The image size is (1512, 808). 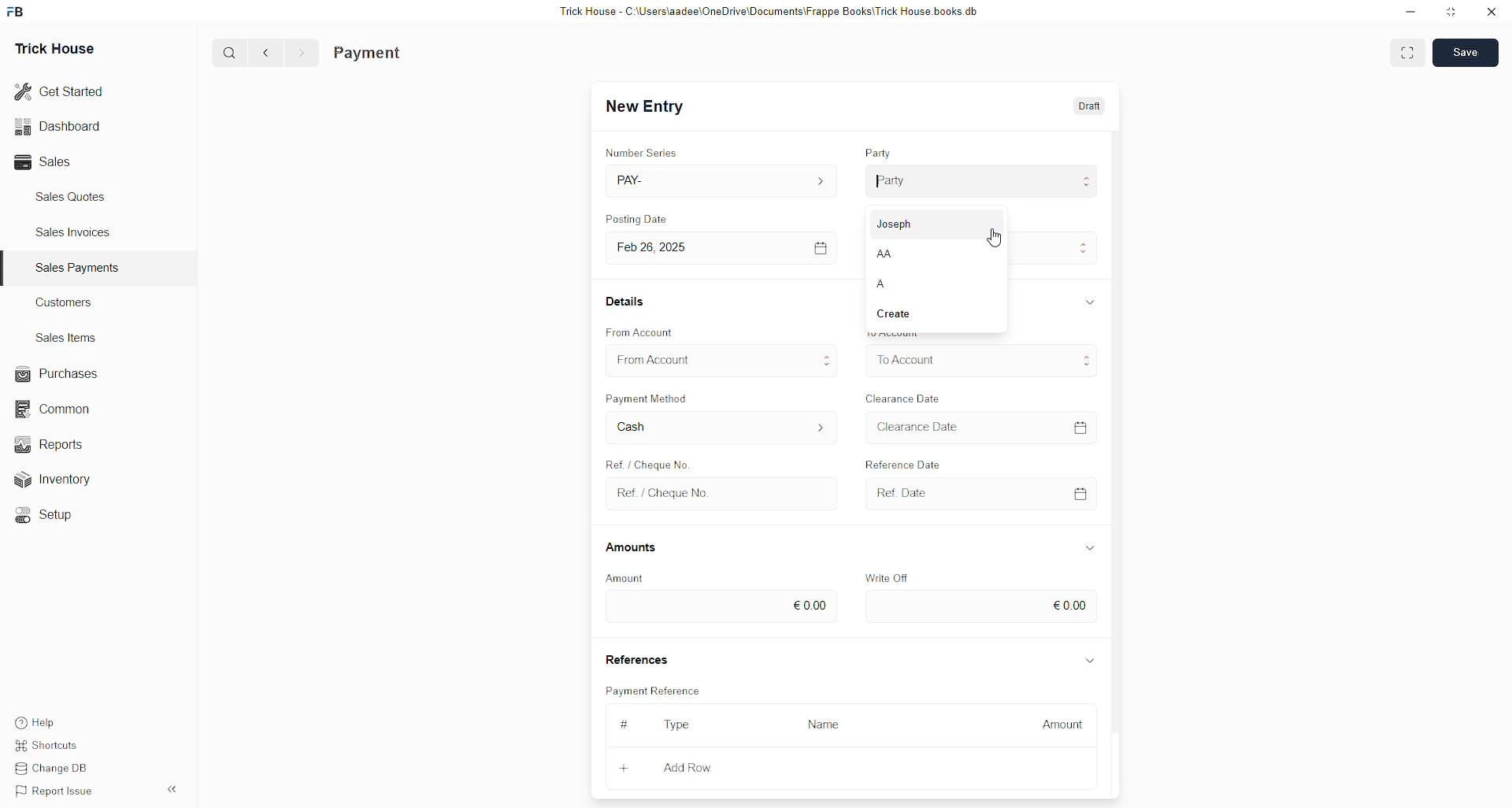 I want to click on Show/Hide, so click(x=1091, y=662).